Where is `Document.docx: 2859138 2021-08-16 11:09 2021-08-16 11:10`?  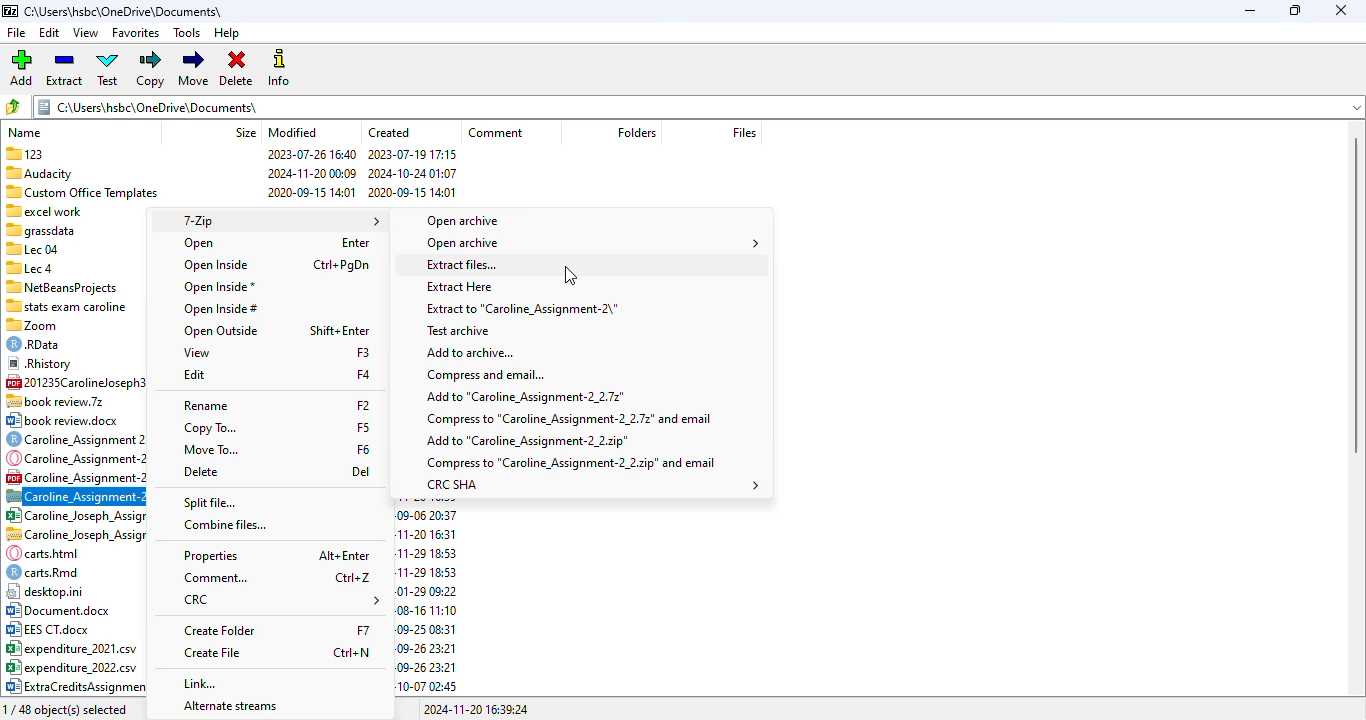 Document.docx: 2859138 2021-08-16 11:09 2021-08-16 11:10 is located at coordinates (73, 611).